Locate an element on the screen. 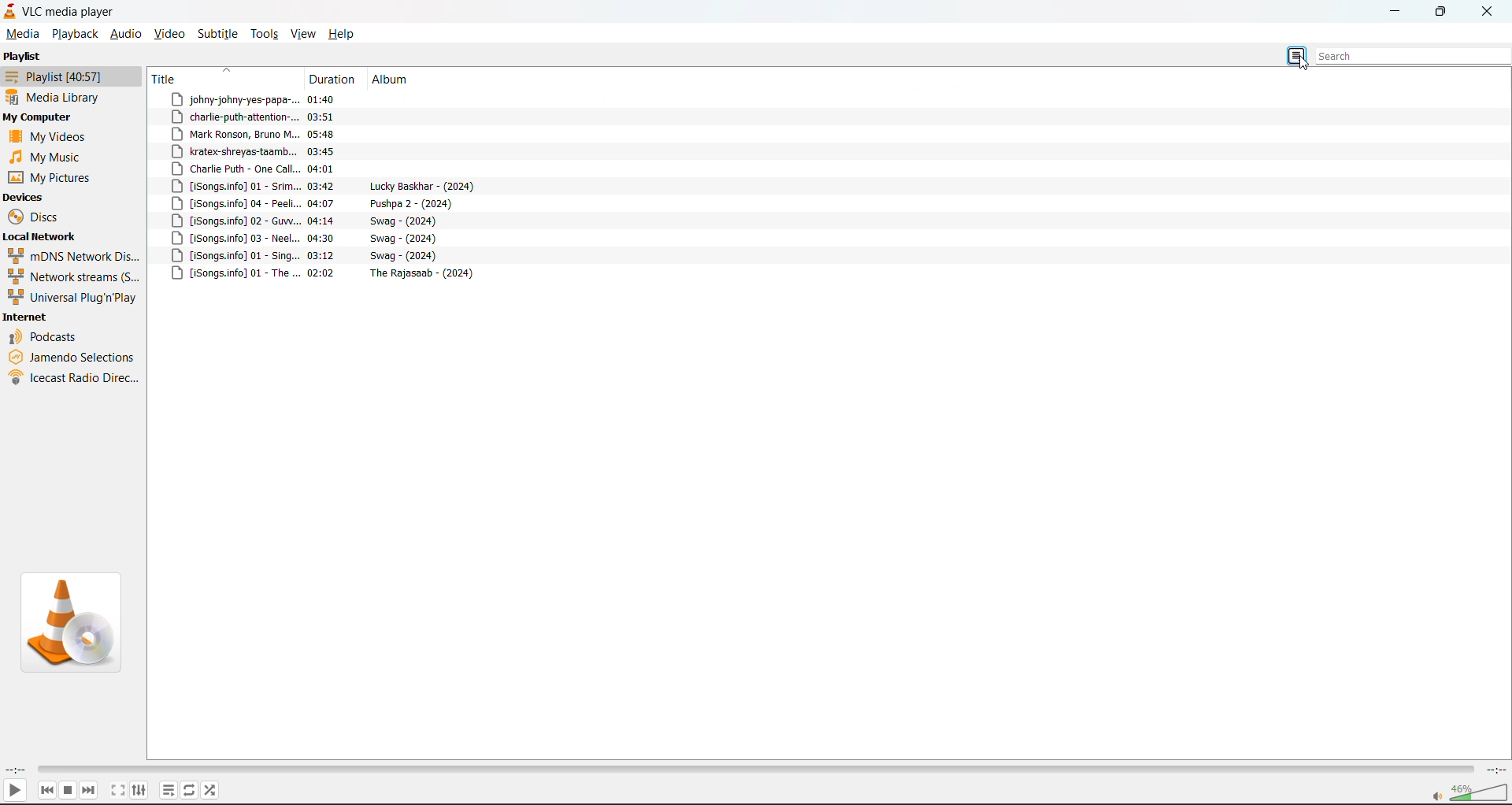  track title with duration and album details is located at coordinates (329, 274).